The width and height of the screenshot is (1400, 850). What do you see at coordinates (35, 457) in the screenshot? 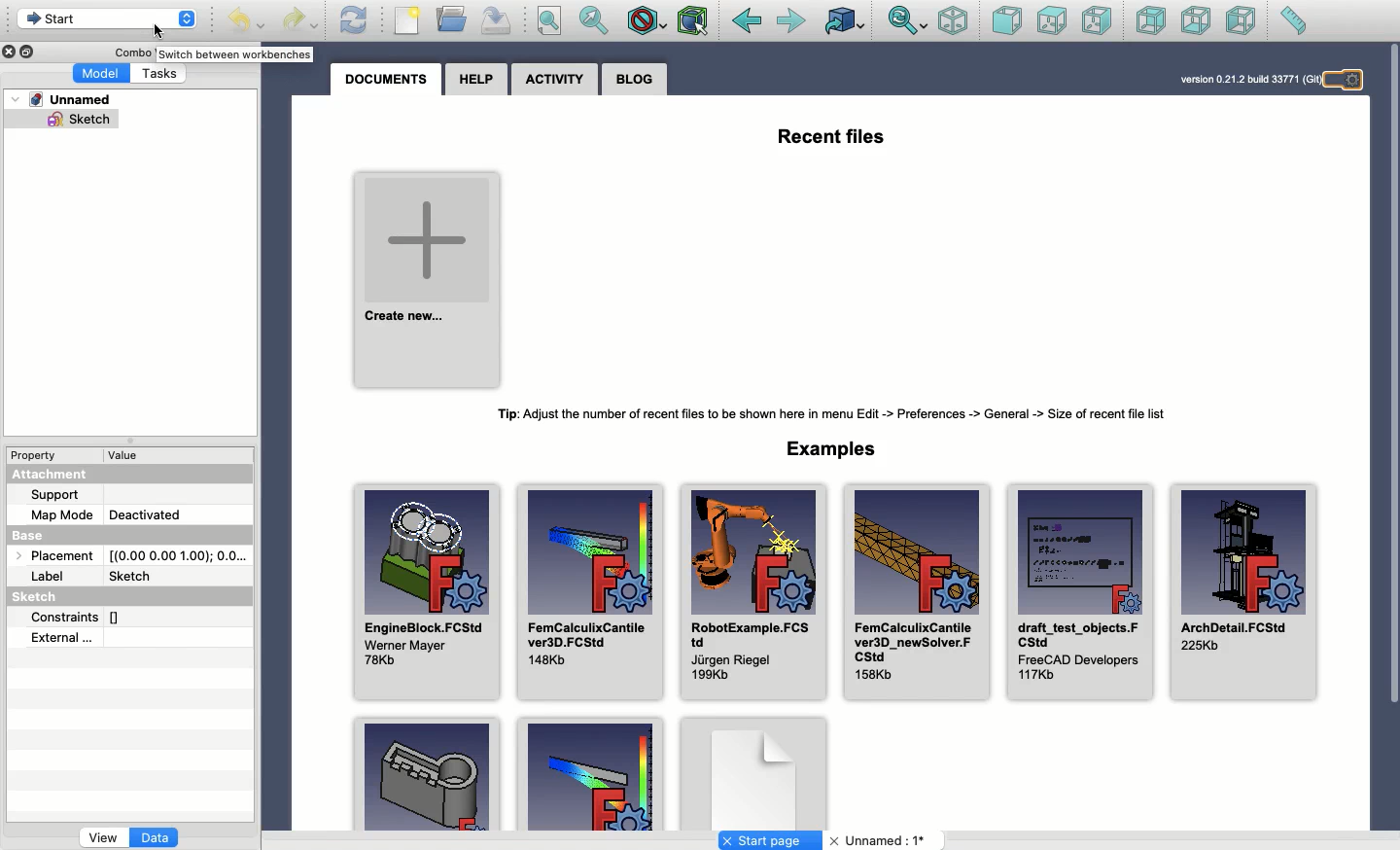
I see `Property` at bounding box center [35, 457].